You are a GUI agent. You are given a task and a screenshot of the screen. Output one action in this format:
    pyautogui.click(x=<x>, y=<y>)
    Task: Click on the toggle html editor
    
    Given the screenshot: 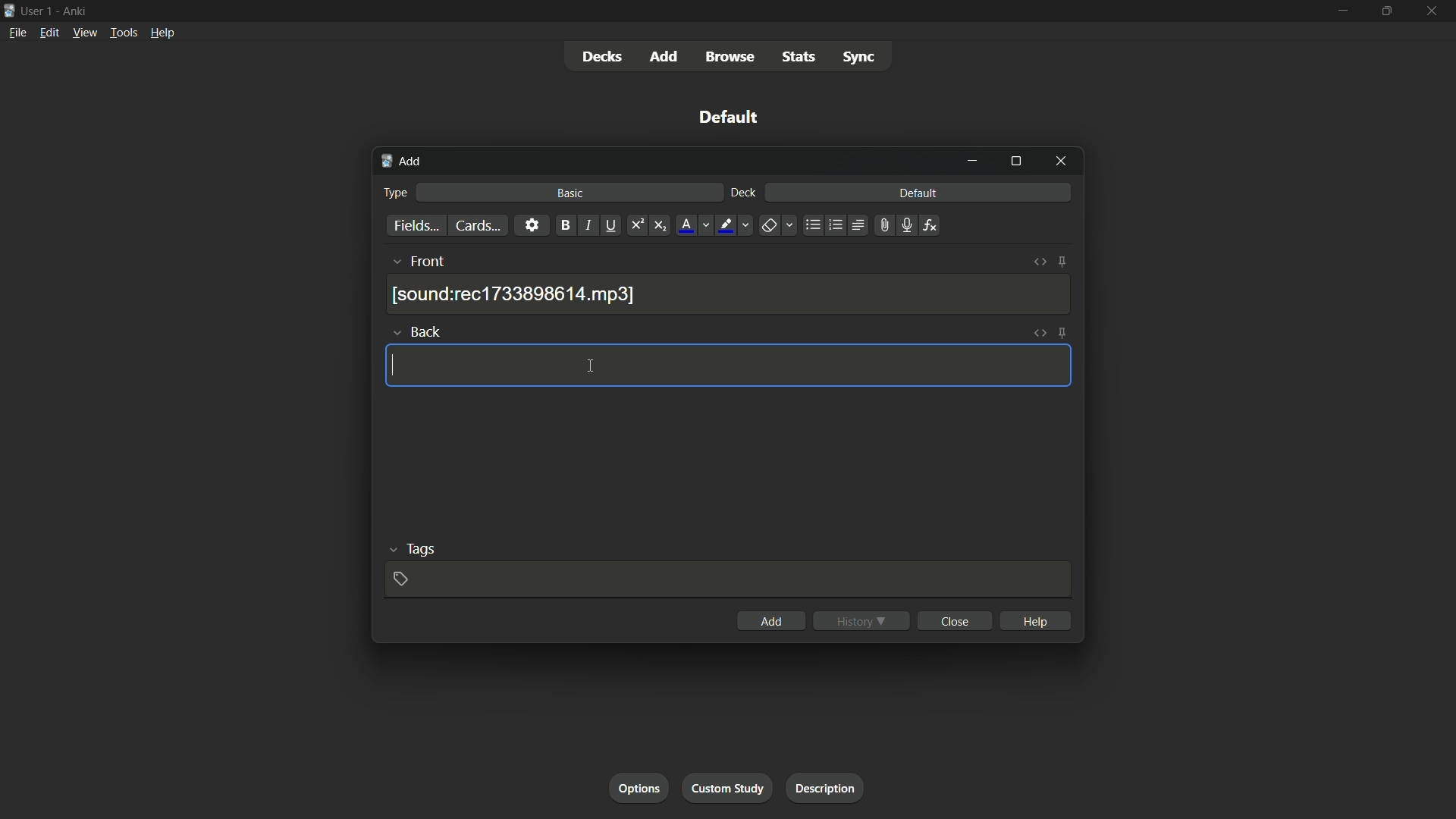 What is the action you would take?
    pyautogui.click(x=1040, y=263)
    